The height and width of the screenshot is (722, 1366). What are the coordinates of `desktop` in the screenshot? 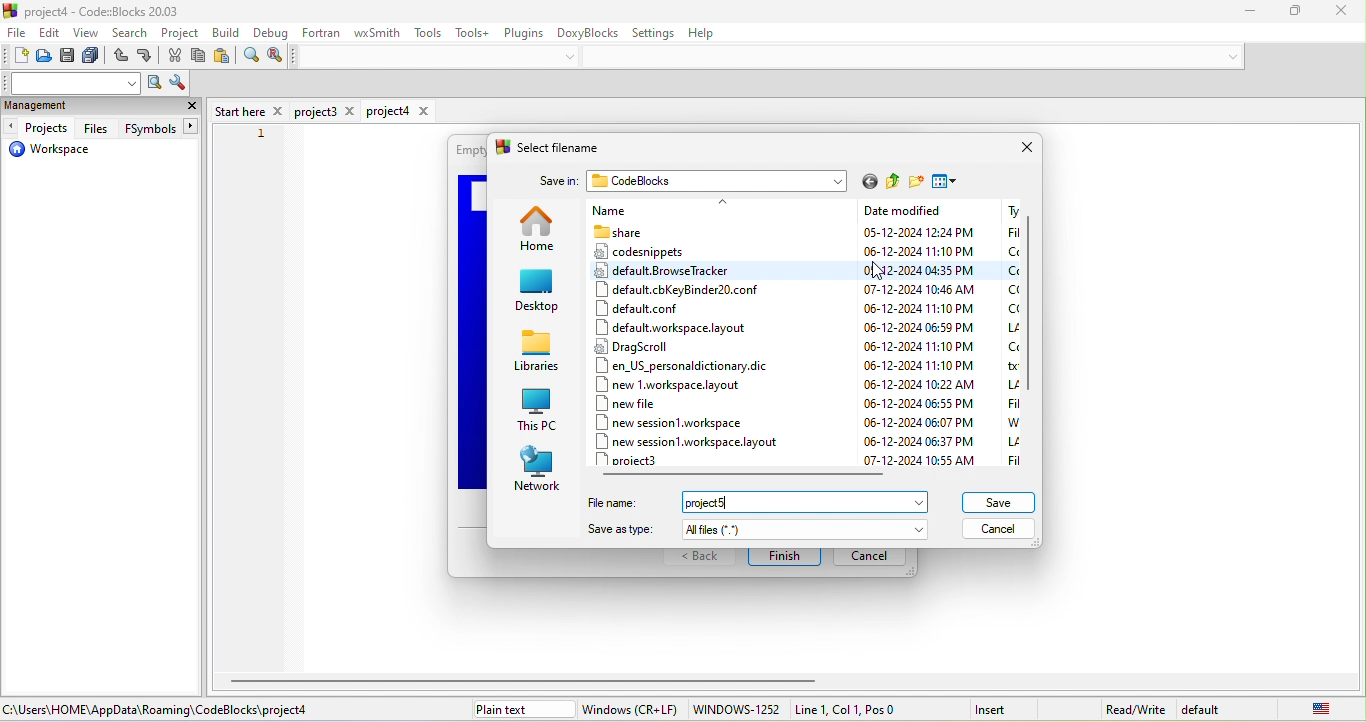 It's located at (537, 290).